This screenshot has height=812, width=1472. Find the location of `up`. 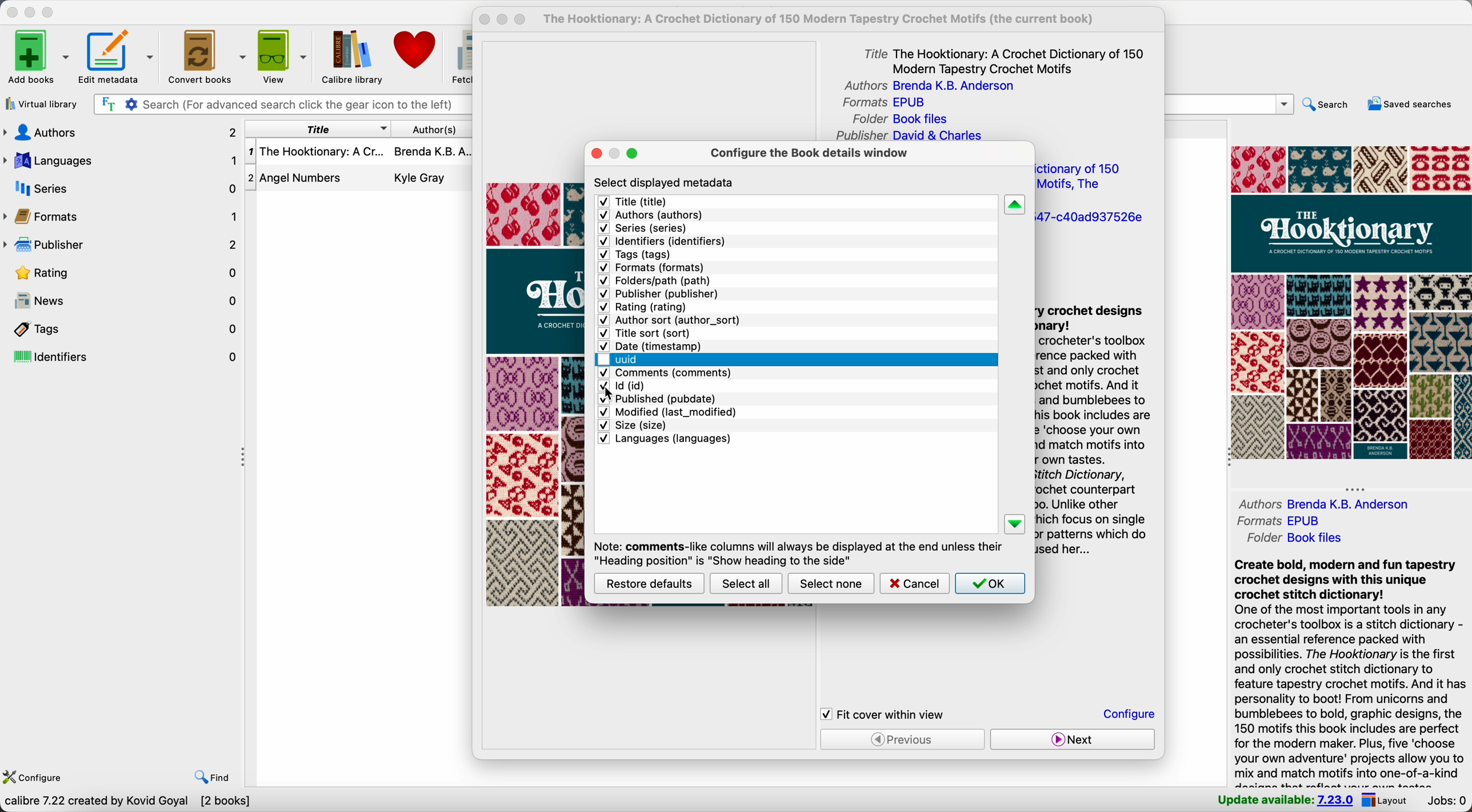

up is located at coordinates (1015, 205).